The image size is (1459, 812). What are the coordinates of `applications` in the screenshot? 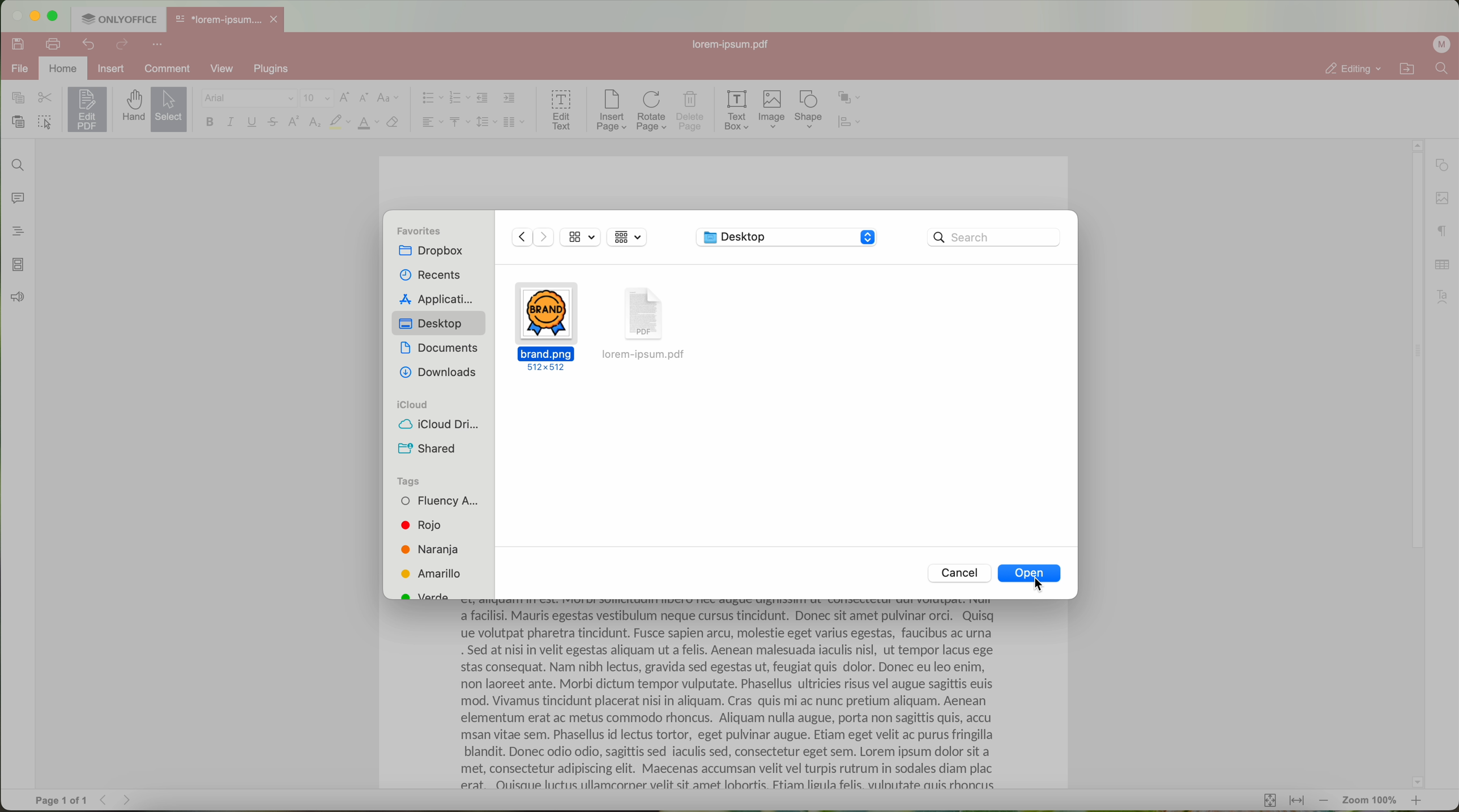 It's located at (436, 300).